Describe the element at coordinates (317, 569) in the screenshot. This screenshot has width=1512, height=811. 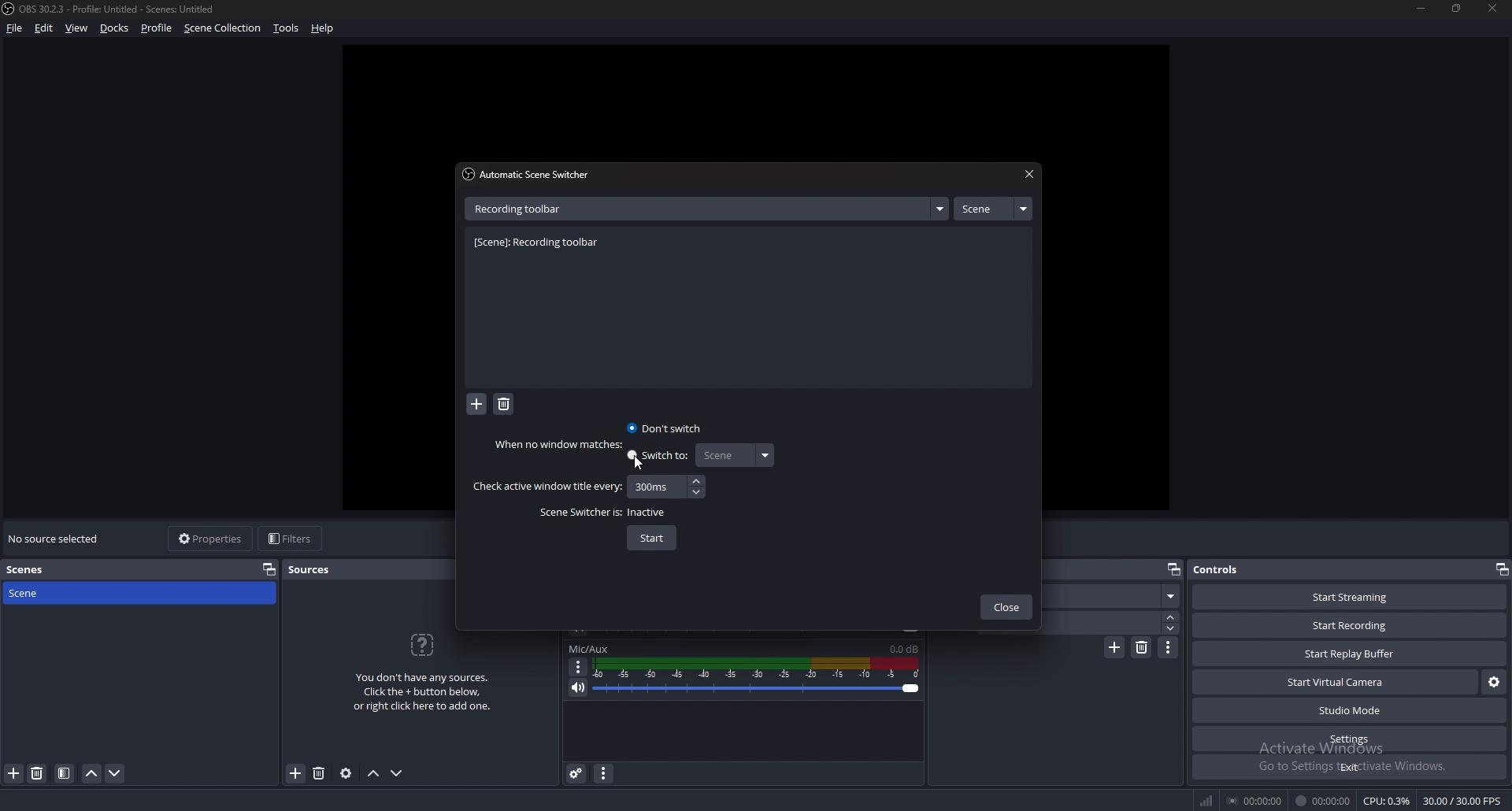
I see `sources` at that location.